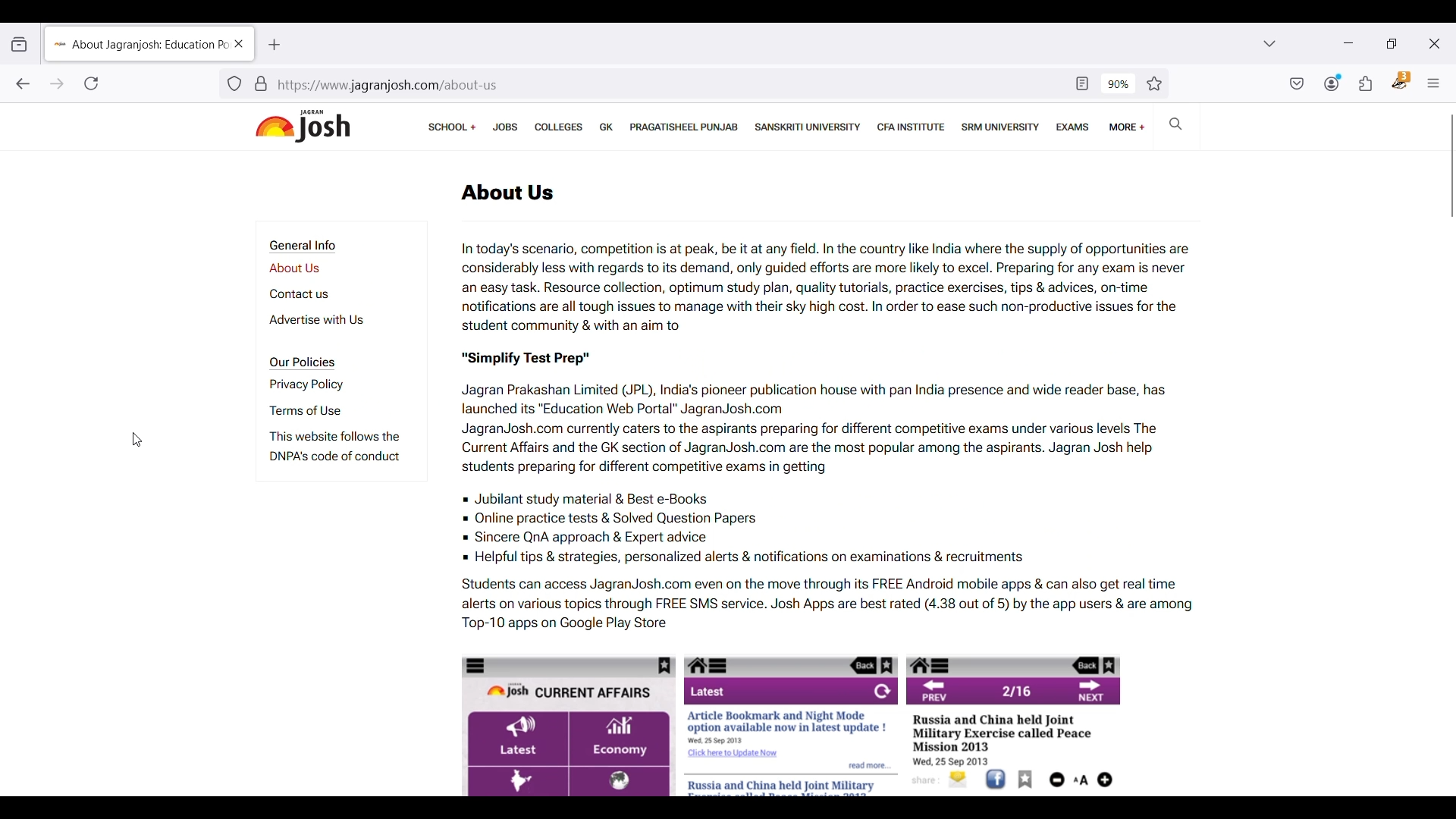 The image size is (1456, 819). What do you see at coordinates (1298, 83) in the screenshot?
I see `Save to pocket` at bounding box center [1298, 83].